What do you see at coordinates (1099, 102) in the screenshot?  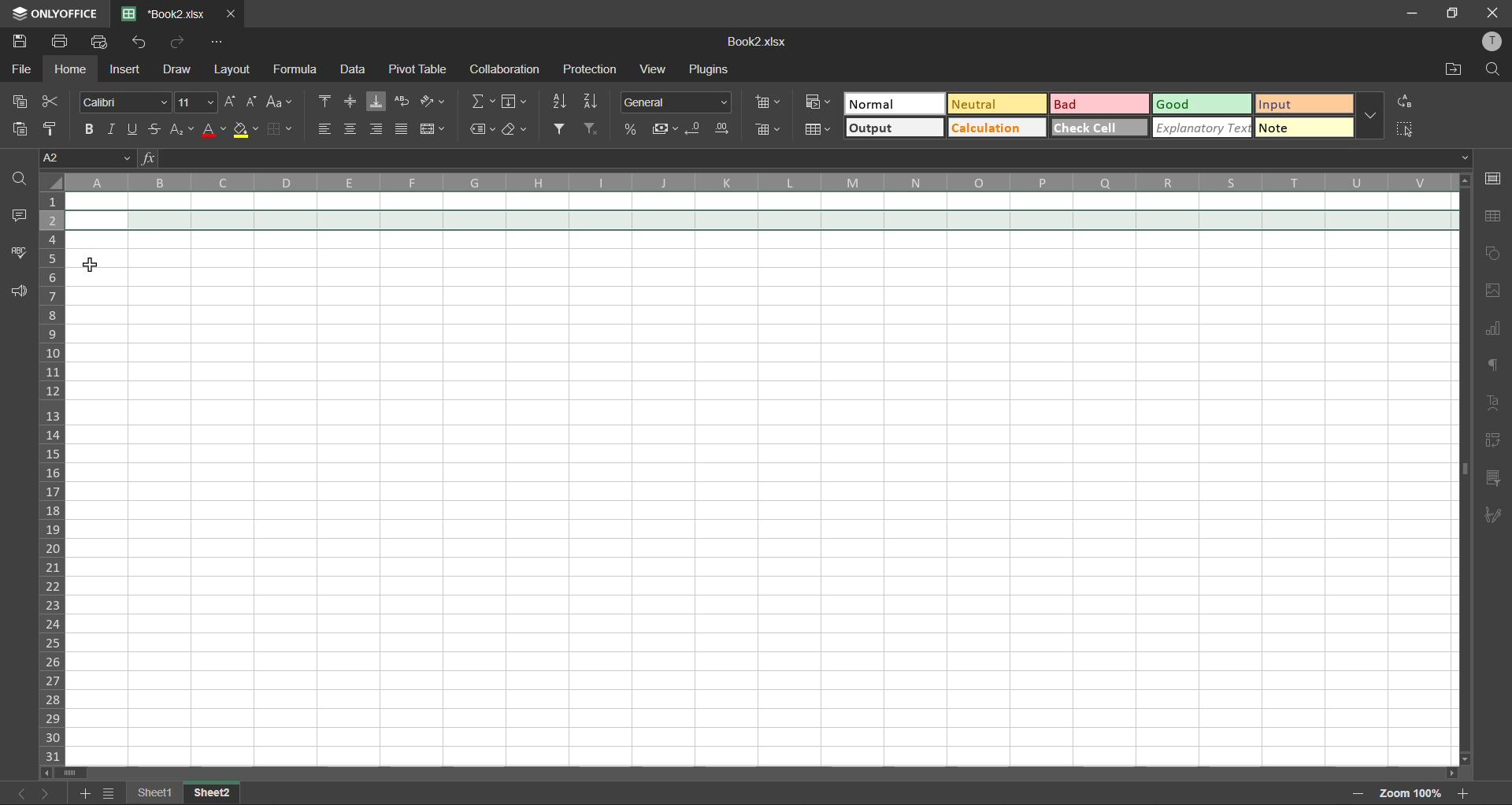 I see `bad` at bounding box center [1099, 102].